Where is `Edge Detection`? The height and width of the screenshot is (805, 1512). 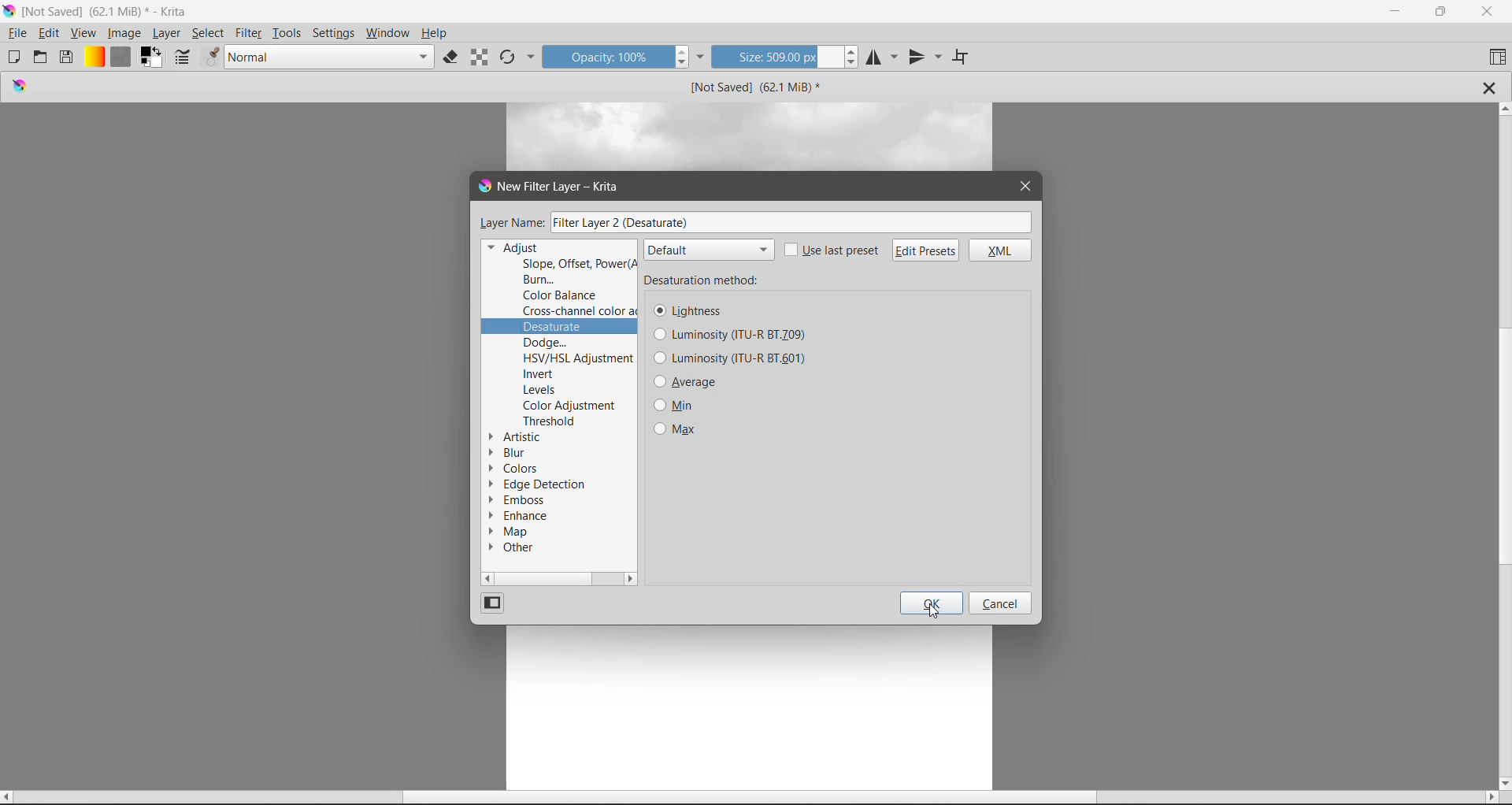 Edge Detection is located at coordinates (540, 484).